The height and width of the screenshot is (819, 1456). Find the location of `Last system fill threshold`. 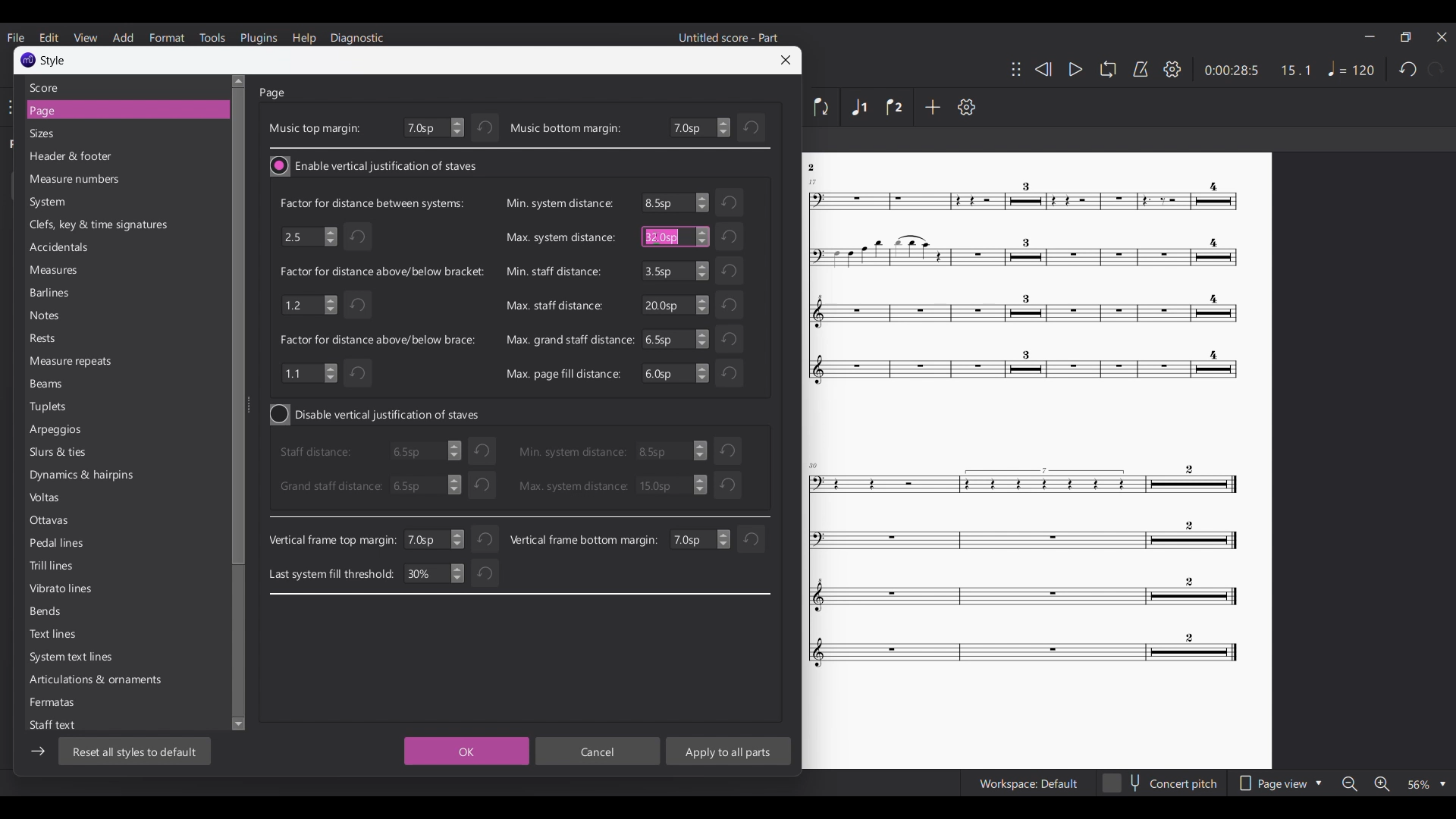

Last system fill threshold is located at coordinates (331, 573).